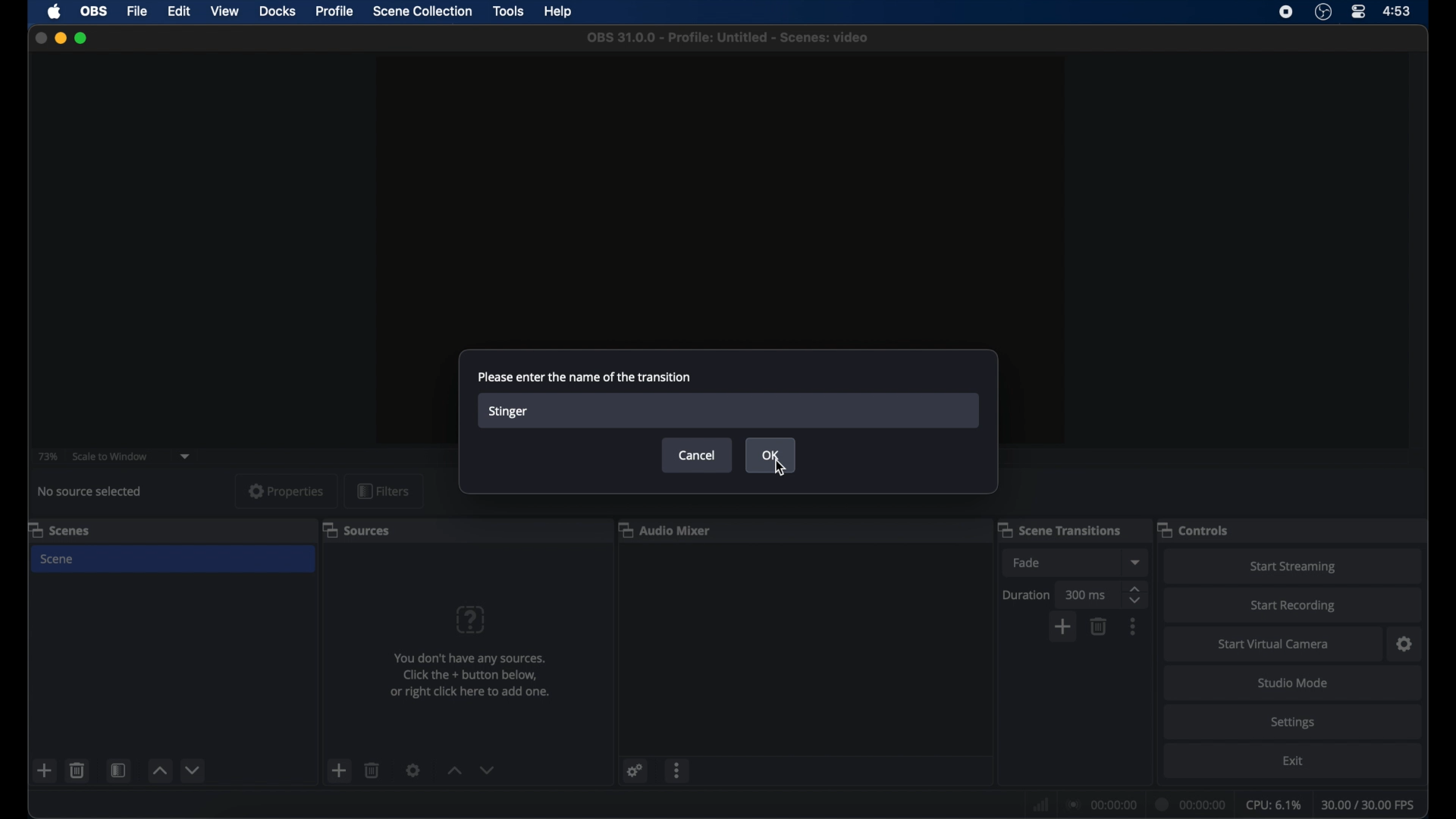 This screenshot has height=819, width=1456. I want to click on delete, so click(1098, 626).